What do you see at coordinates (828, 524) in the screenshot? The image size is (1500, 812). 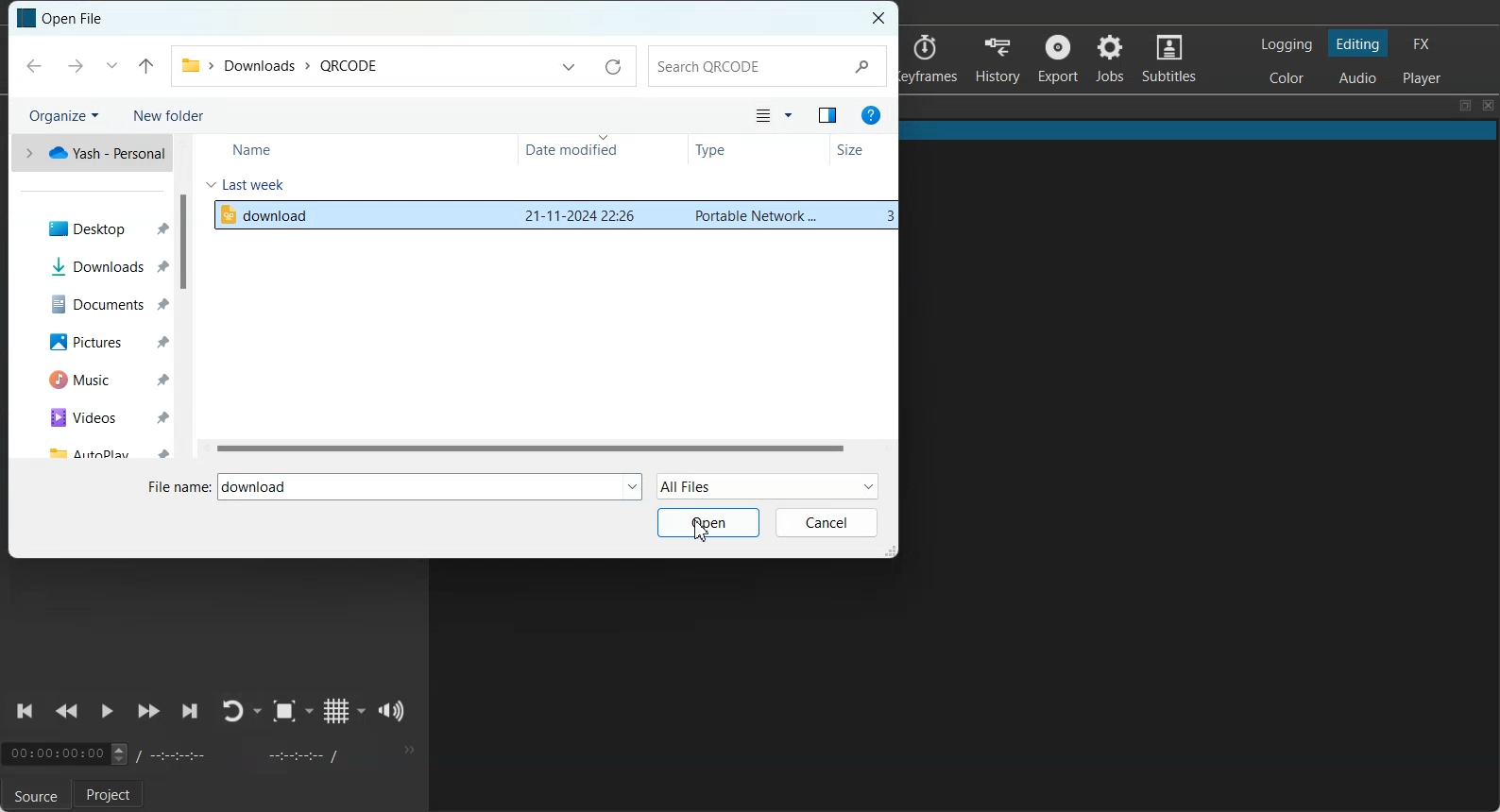 I see `Cancel` at bounding box center [828, 524].